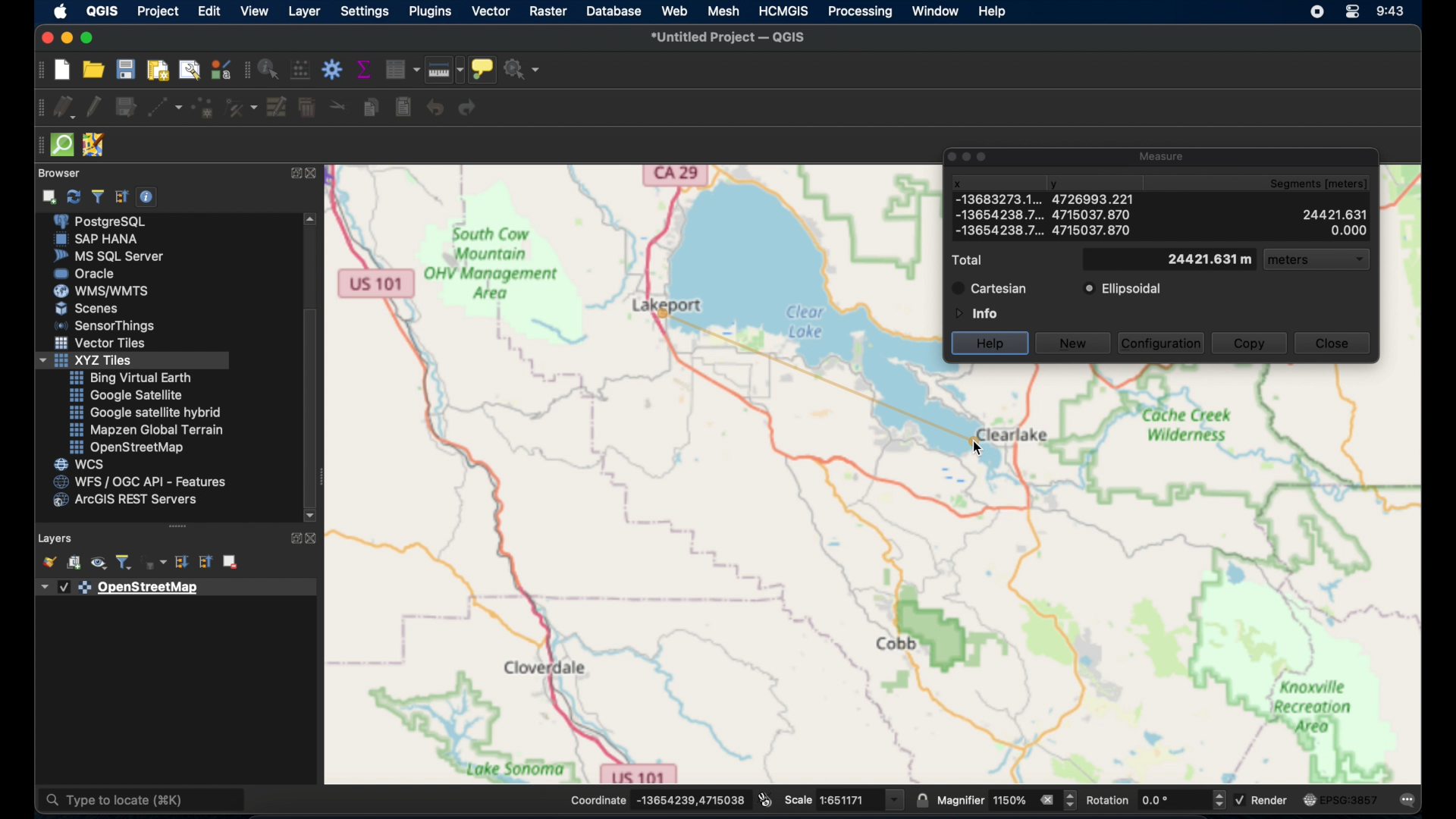 The height and width of the screenshot is (819, 1456). Describe the element at coordinates (988, 199) in the screenshot. I see `-13683273.1... 4726993.221` at that location.